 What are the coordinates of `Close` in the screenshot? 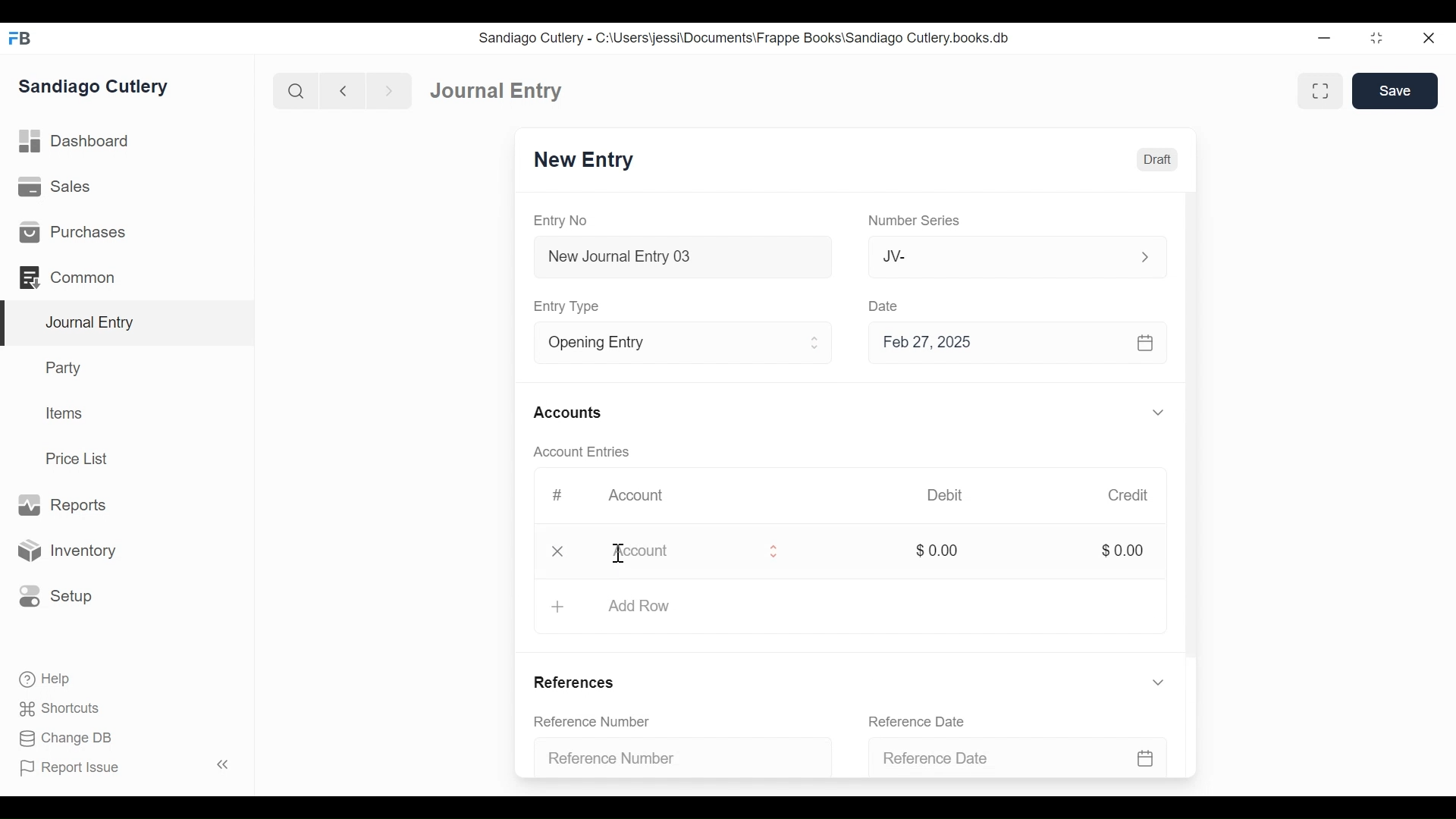 It's located at (560, 551).